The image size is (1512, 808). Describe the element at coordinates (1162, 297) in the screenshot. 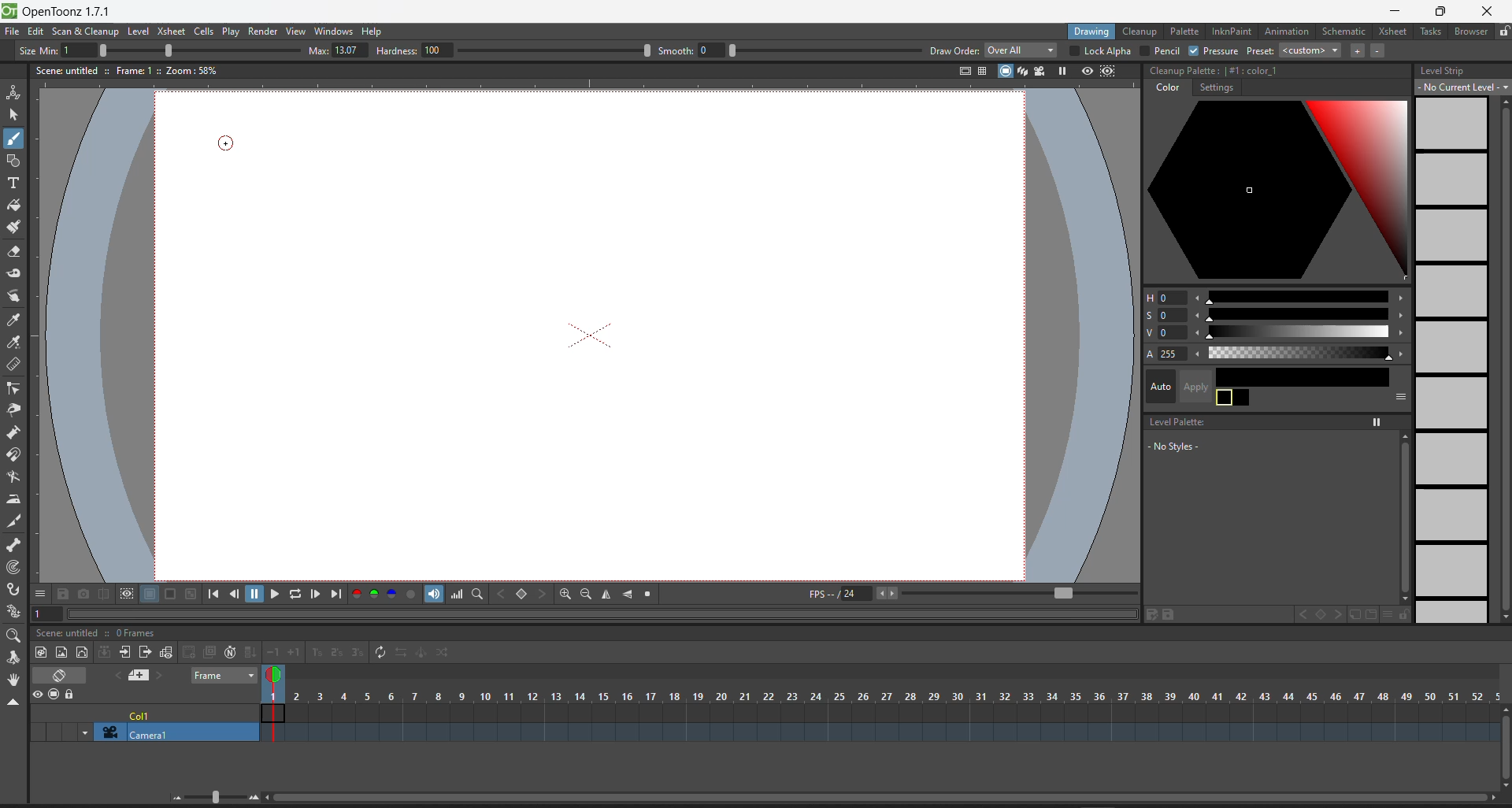

I see `hue` at that location.